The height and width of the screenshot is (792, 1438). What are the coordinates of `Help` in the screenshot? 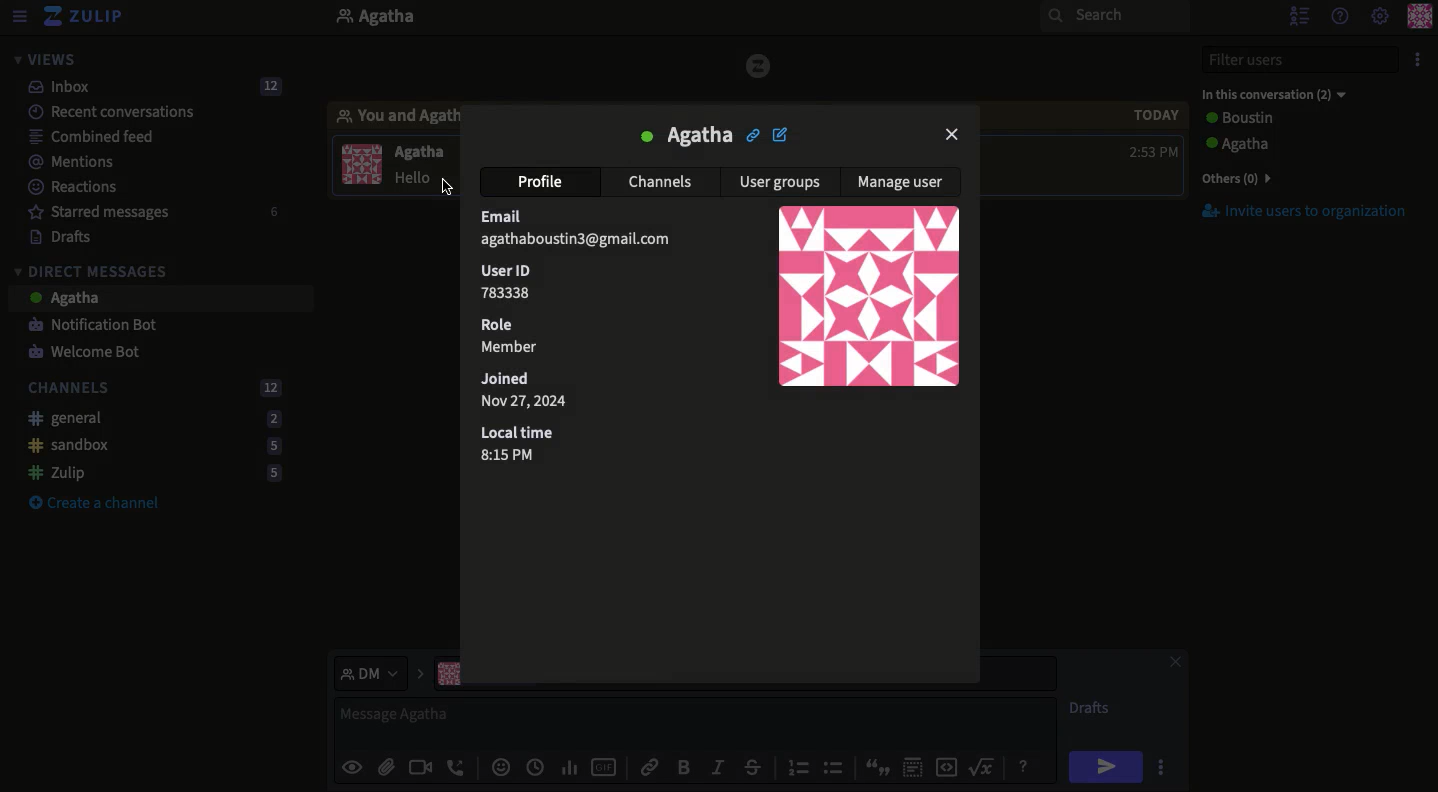 It's located at (1025, 766).